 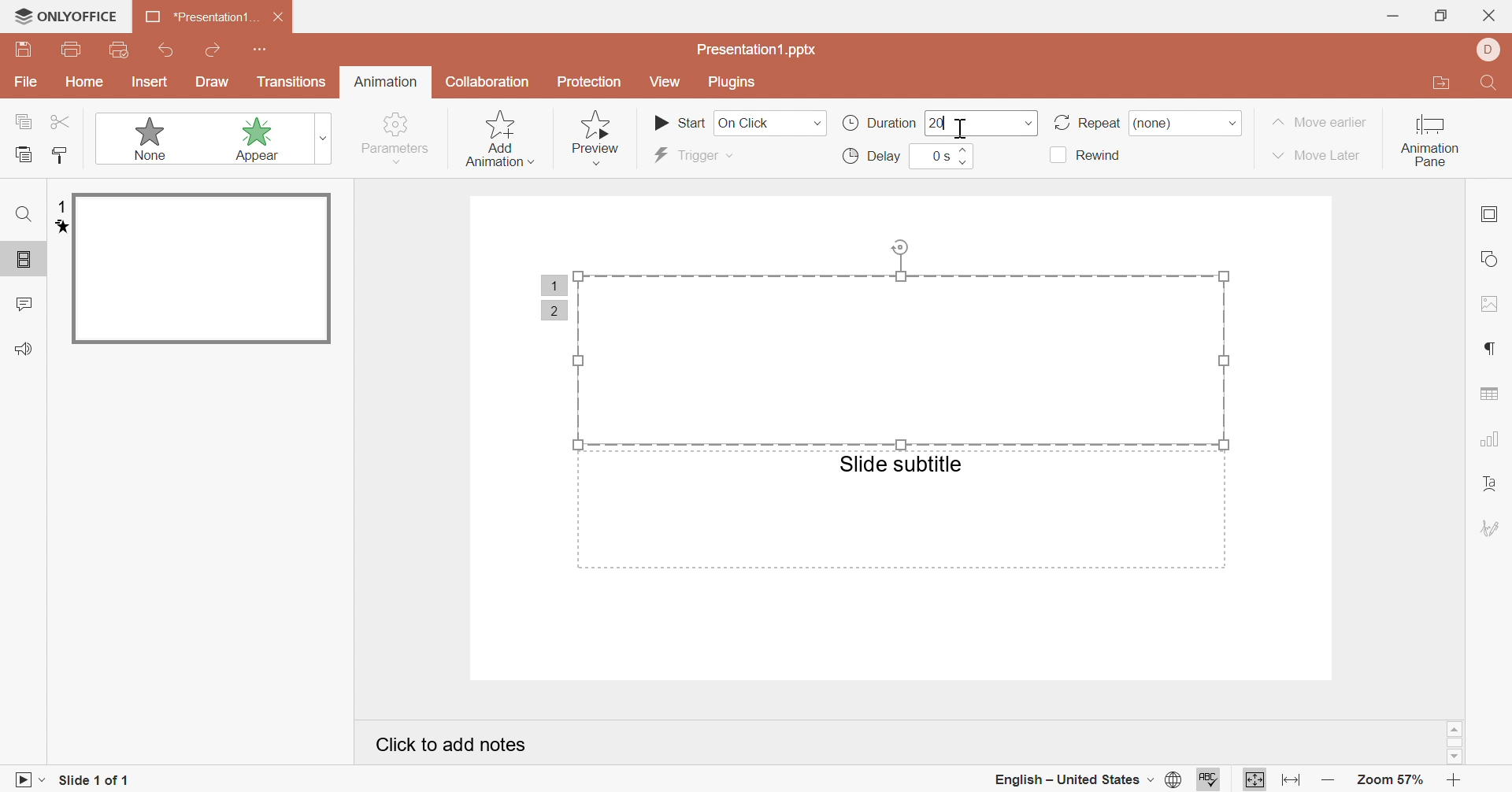 I want to click on paste, so click(x=24, y=153).